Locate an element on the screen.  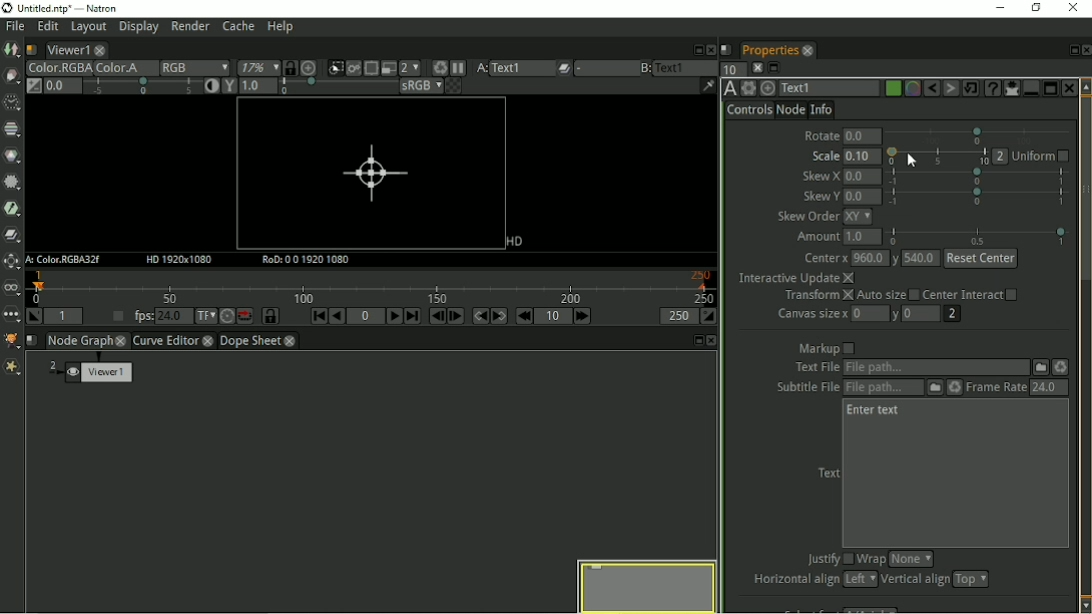
The playback out point is located at coordinates (676, 316).